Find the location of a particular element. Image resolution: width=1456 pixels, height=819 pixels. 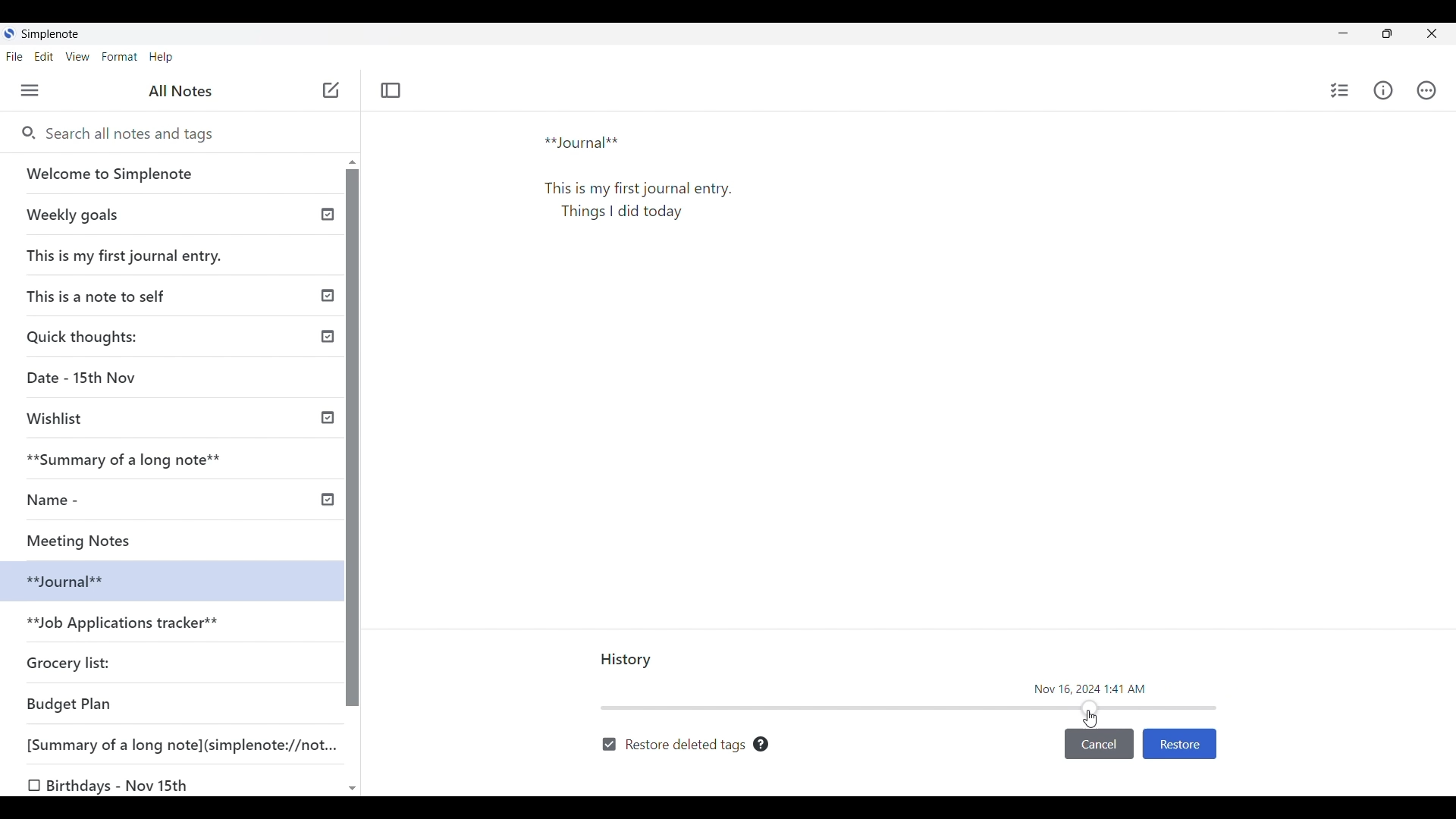

Show interface in a smaller tab is located at coordinates (1387, 33).